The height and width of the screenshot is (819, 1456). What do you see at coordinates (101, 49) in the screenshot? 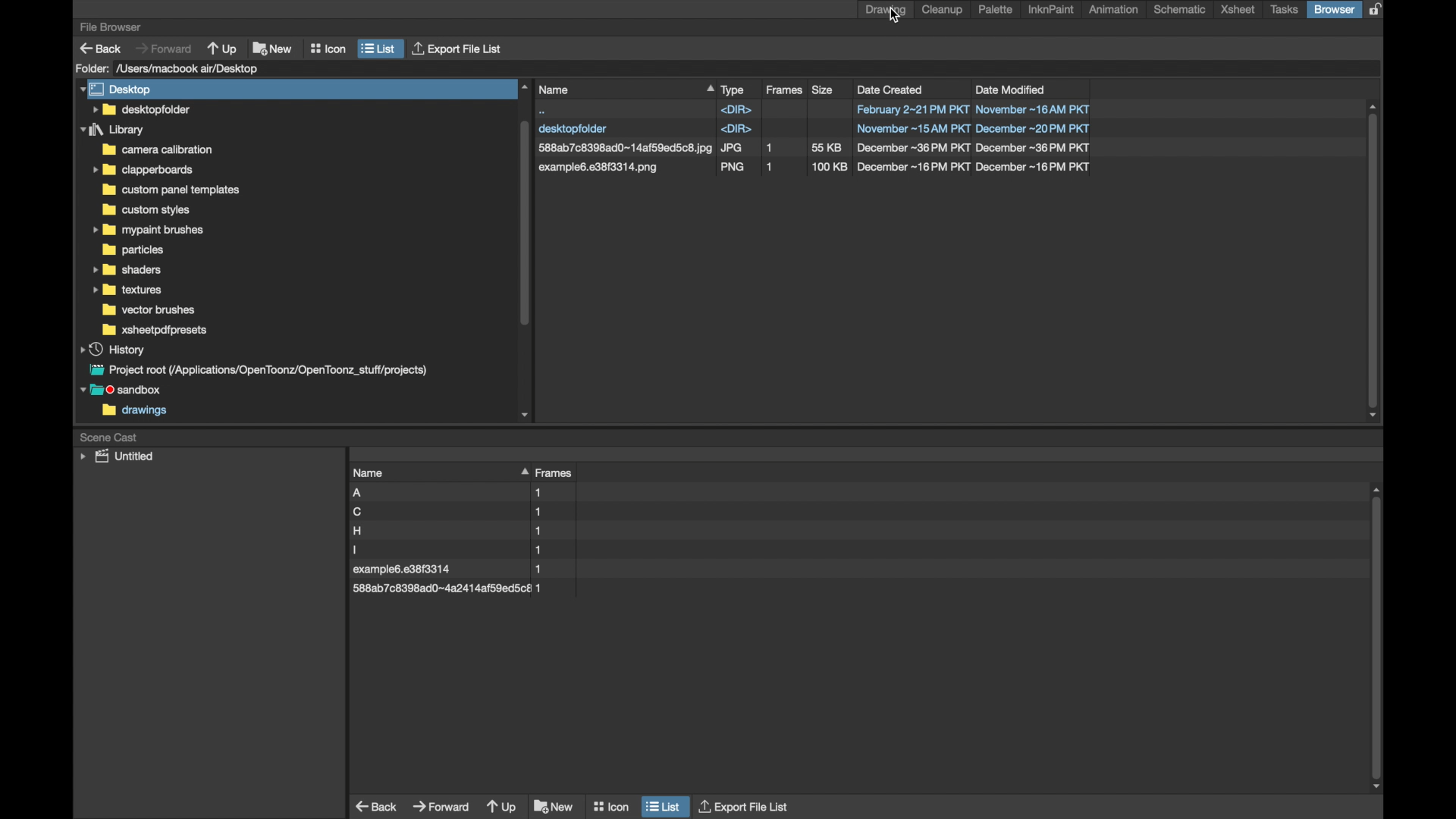
I see `back` at bounding box center [101, 49].